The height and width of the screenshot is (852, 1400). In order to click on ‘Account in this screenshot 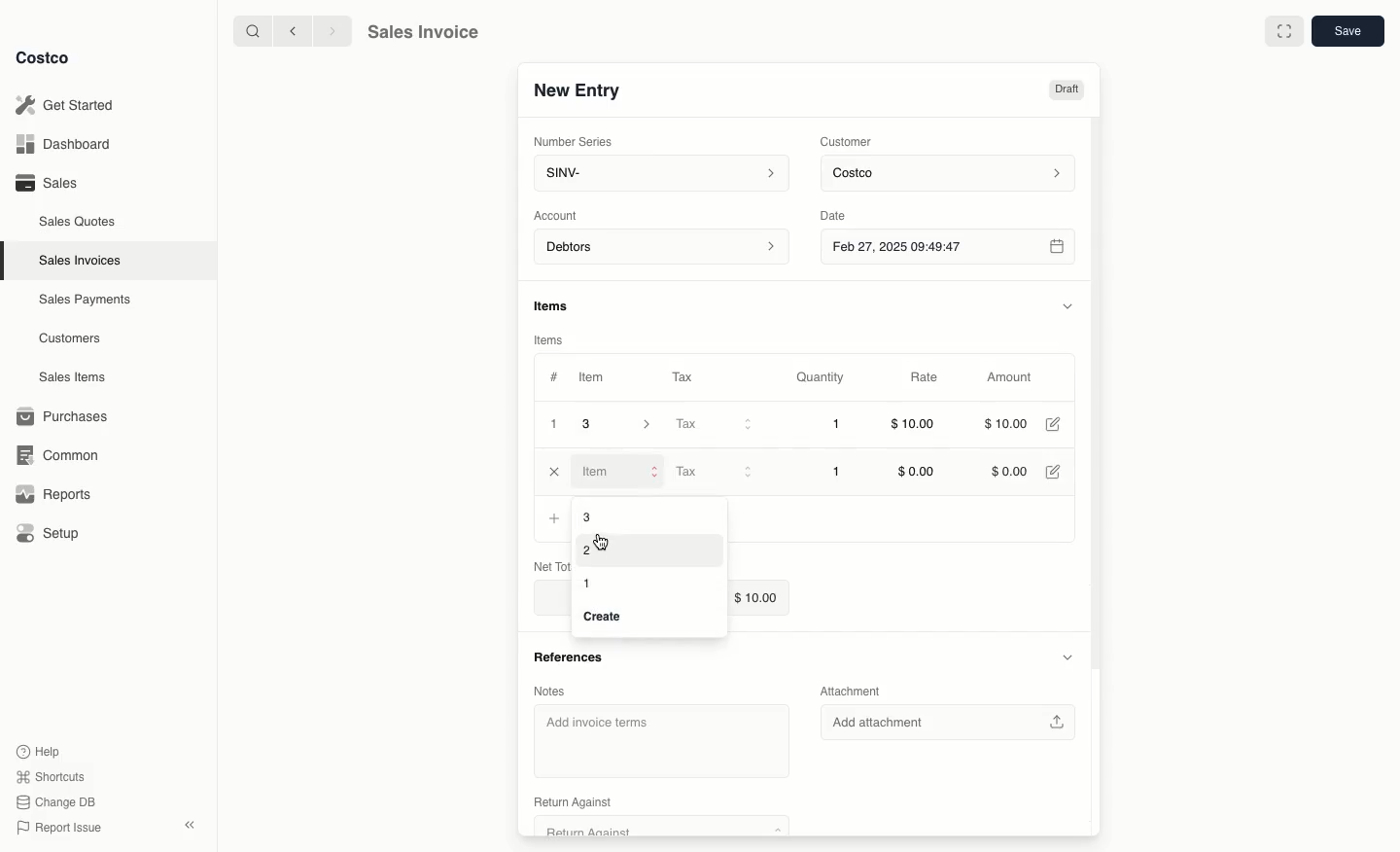, I will do `click(559, 214)`.